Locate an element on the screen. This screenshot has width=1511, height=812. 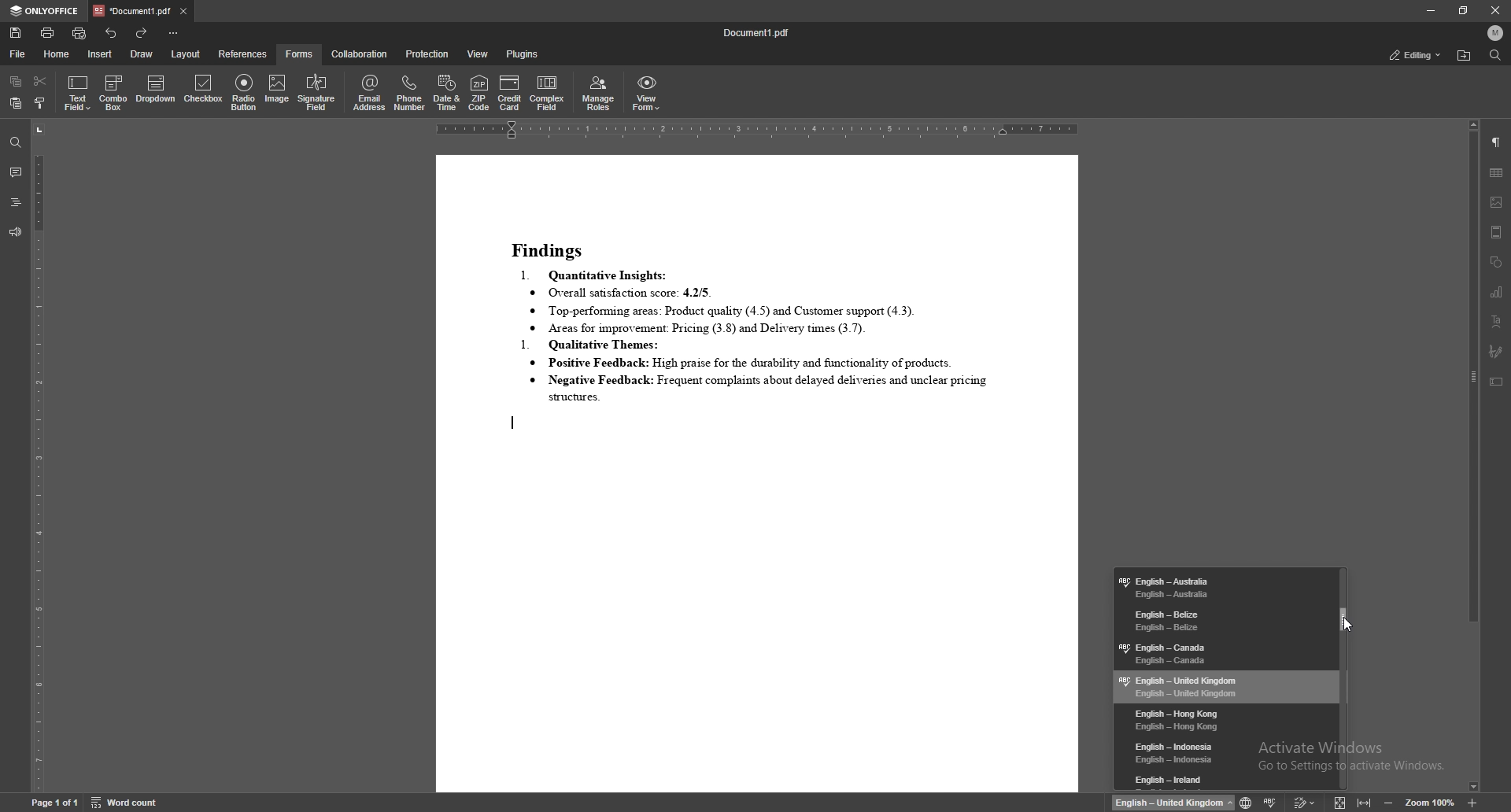
decrease zoom is located at coordinates (1387, 802).